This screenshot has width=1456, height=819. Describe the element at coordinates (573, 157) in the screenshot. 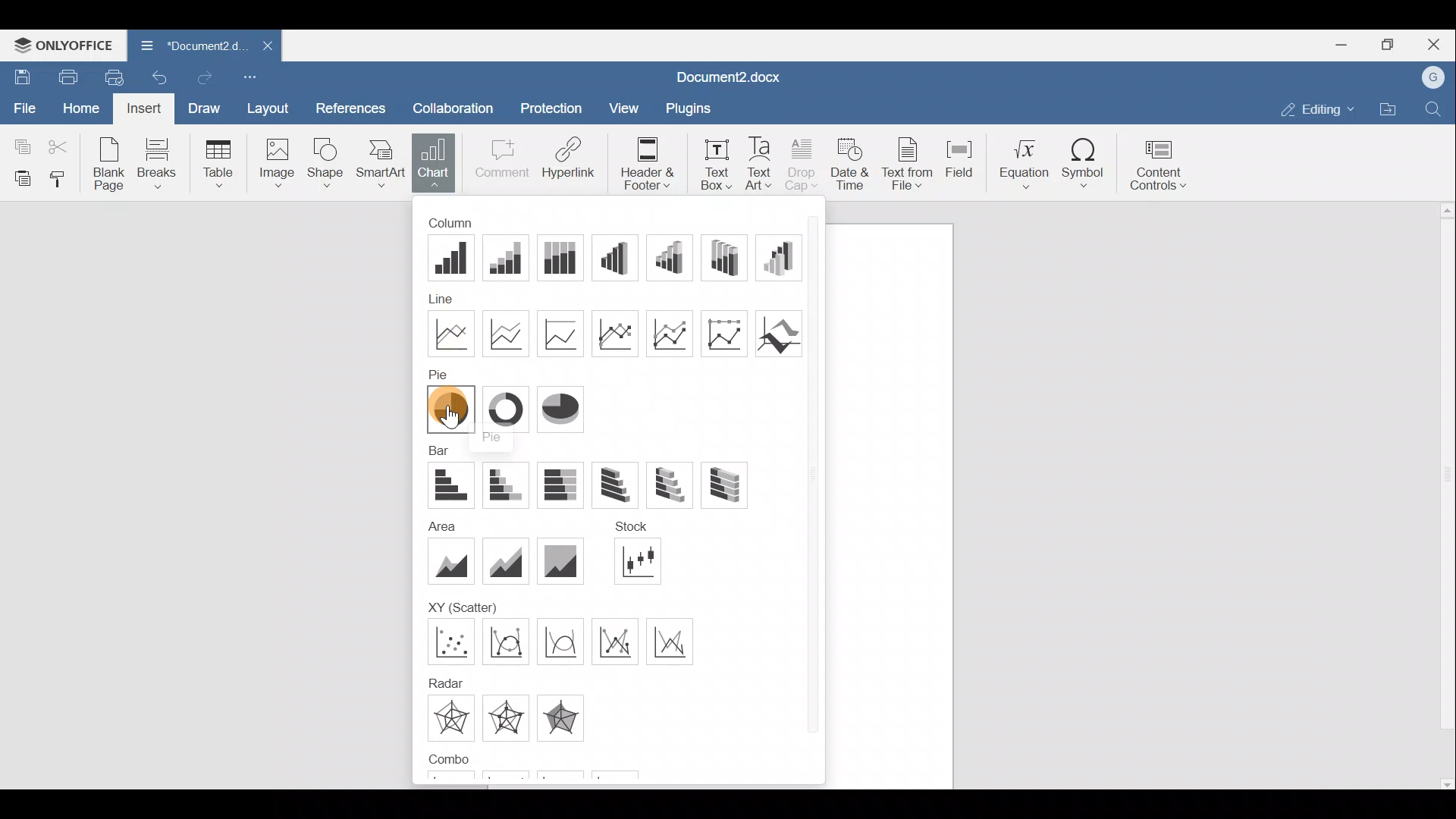

I see `Hyperlink` at that location.